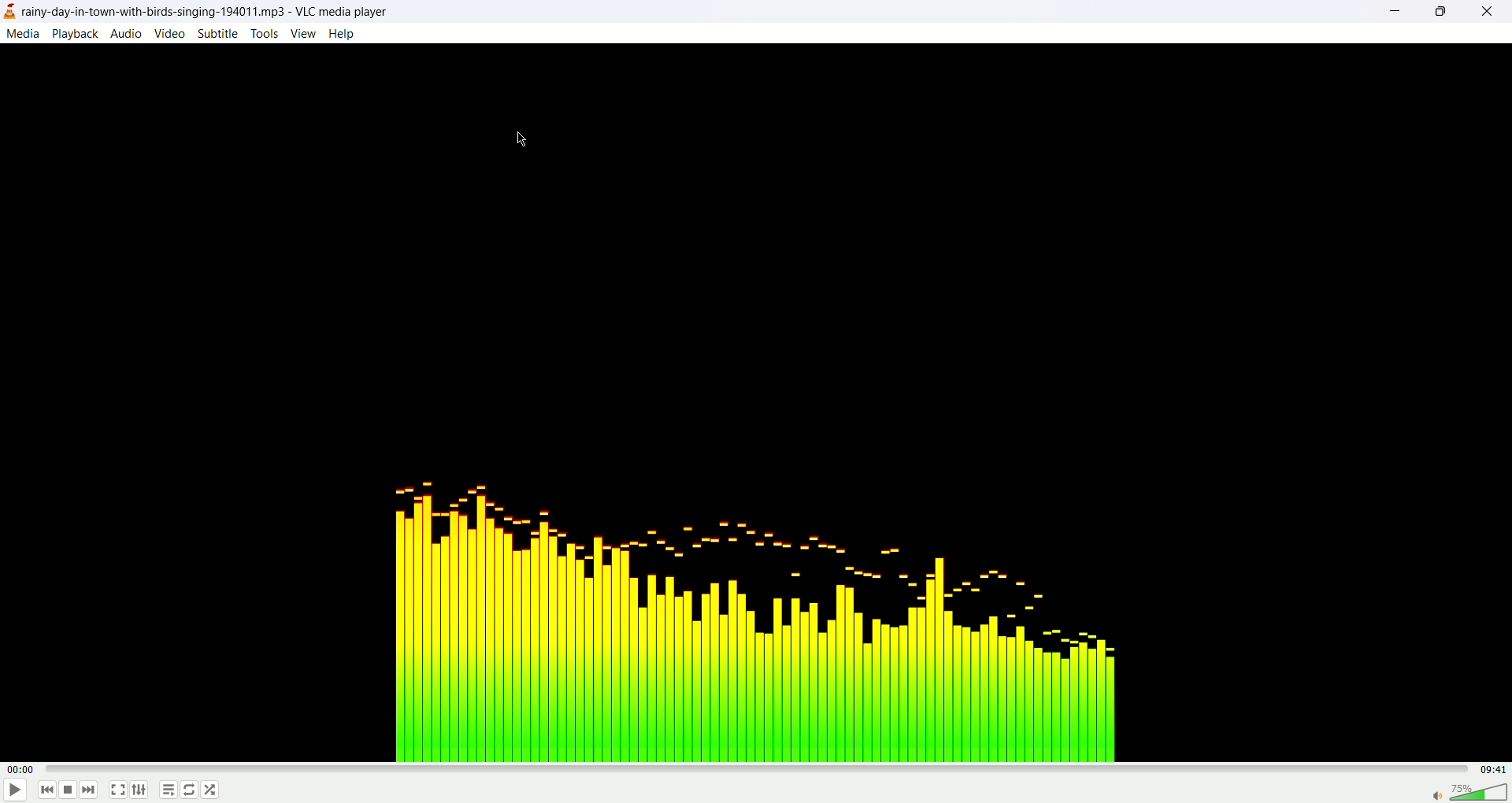  Describe the element at coordinates (91, 790) in the screenshot. I see `next` at that location.